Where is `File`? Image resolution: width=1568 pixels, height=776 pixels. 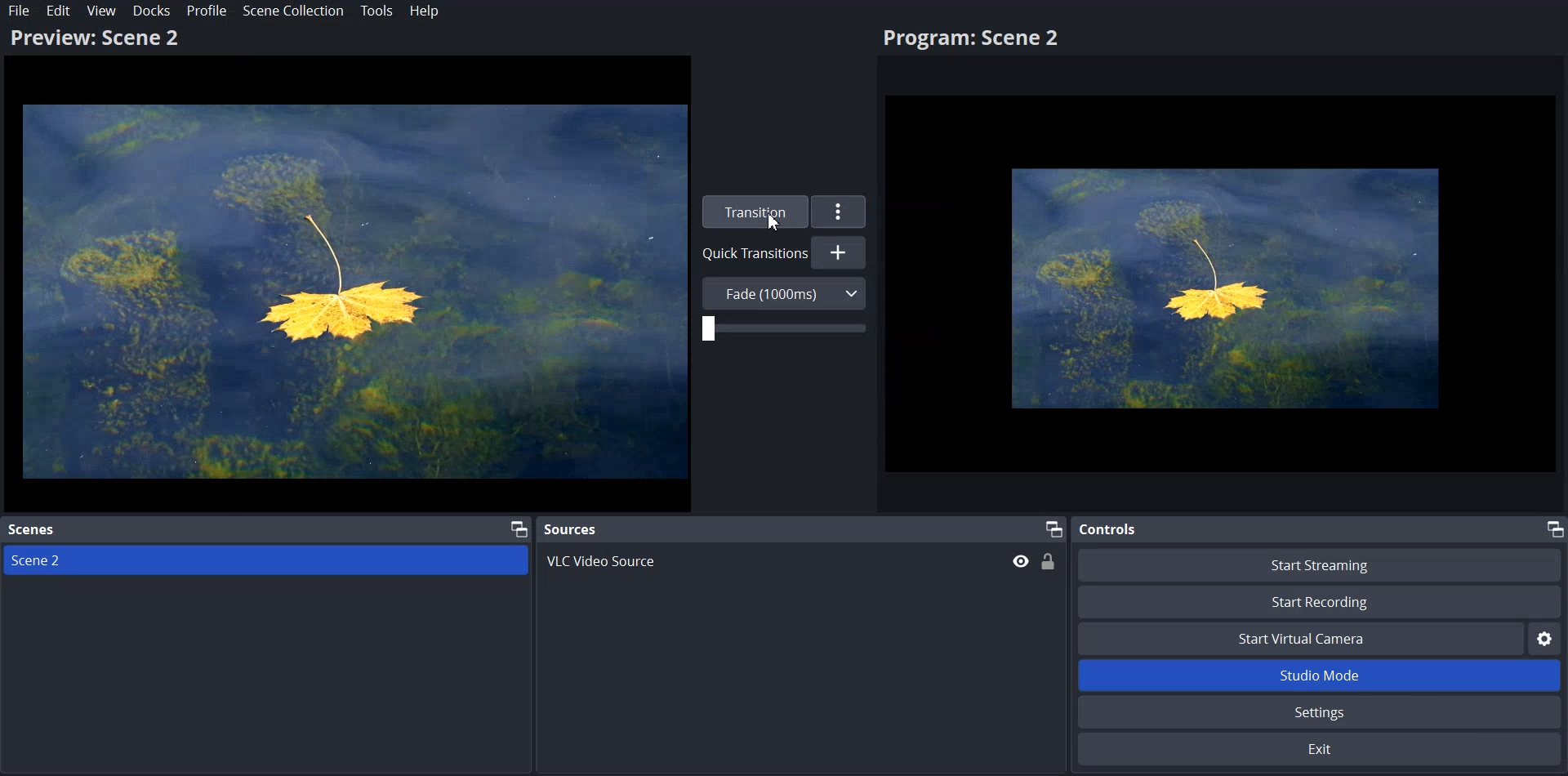
File is located at coordinates (20, 10).